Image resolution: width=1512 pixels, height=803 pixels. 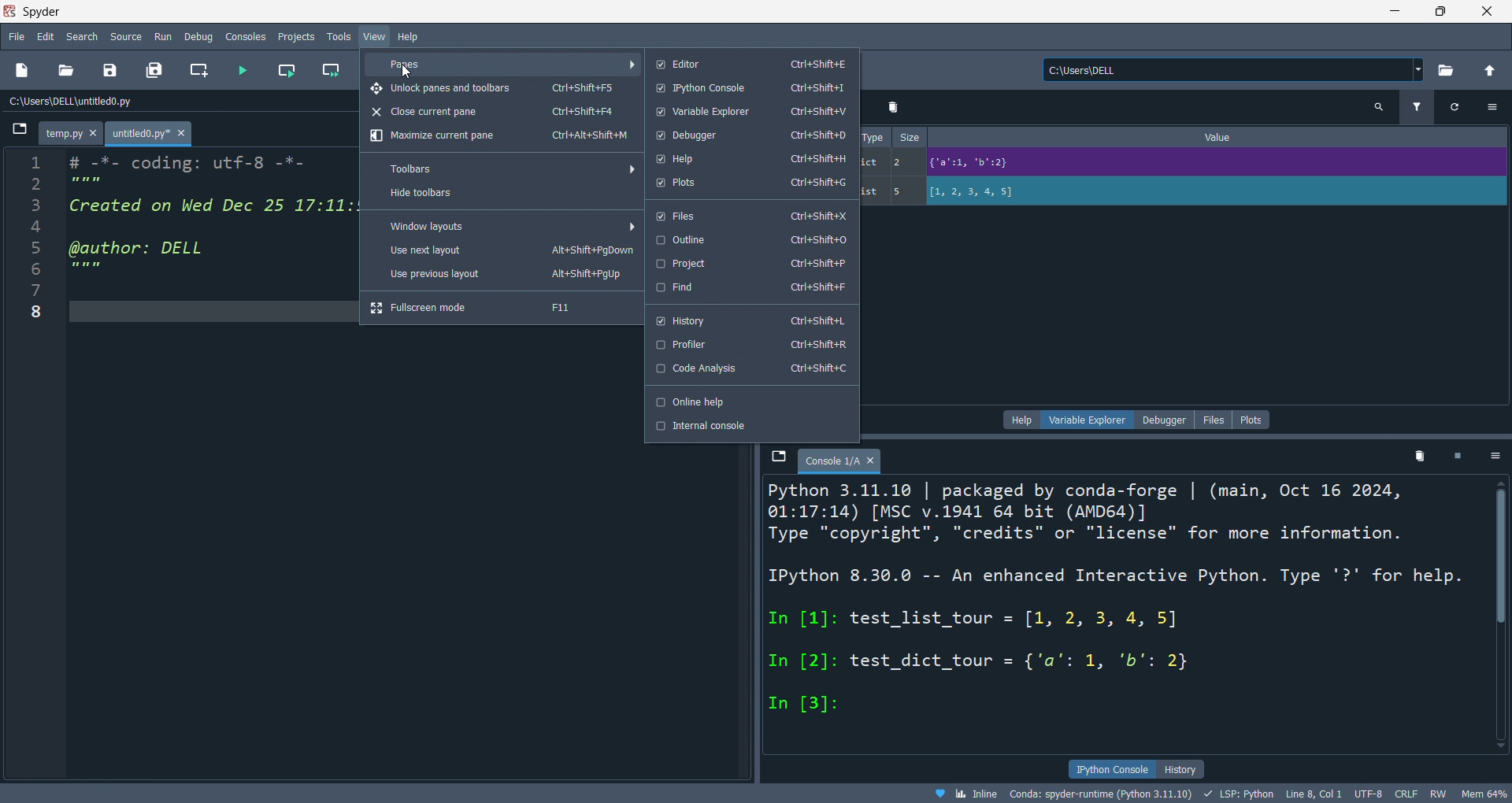 What do you see at coordinates (1490, 68) in the screenshot?
I see `open parent directory` at bounding box center [1490, 68].